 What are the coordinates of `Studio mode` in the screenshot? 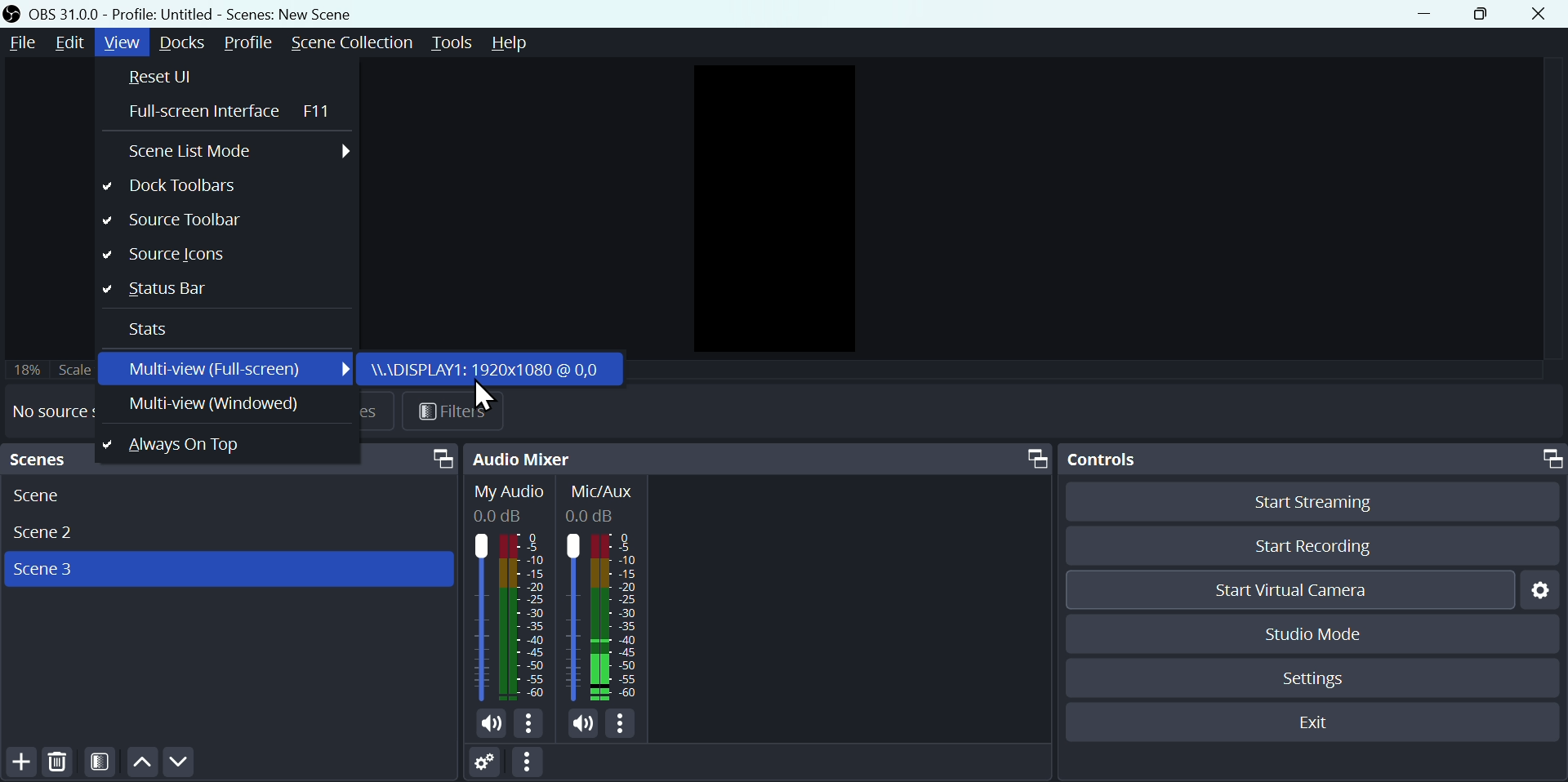 It's located at (1307, 634).